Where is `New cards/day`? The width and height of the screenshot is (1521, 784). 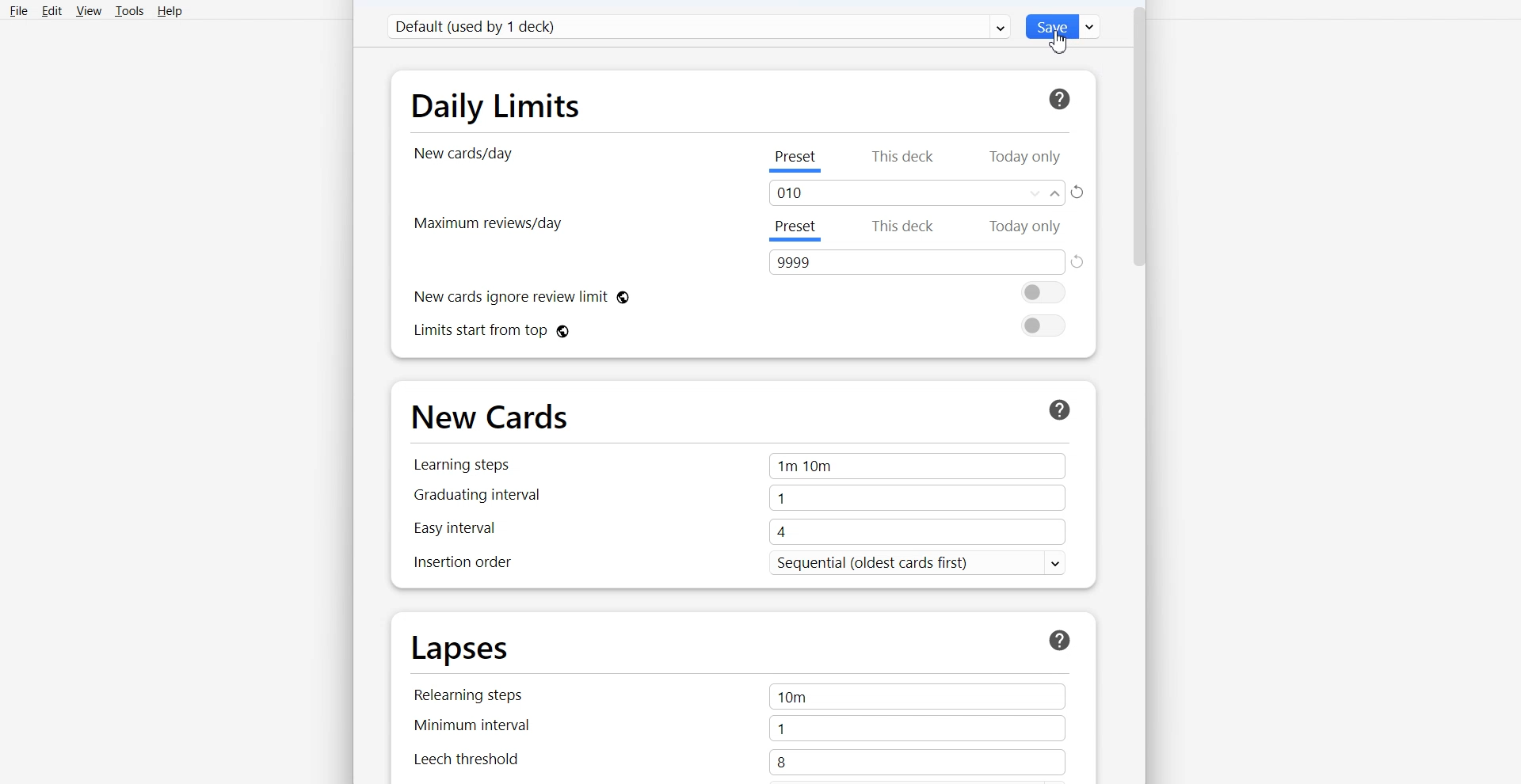 New cards/day is located at coordinates (465, 154).